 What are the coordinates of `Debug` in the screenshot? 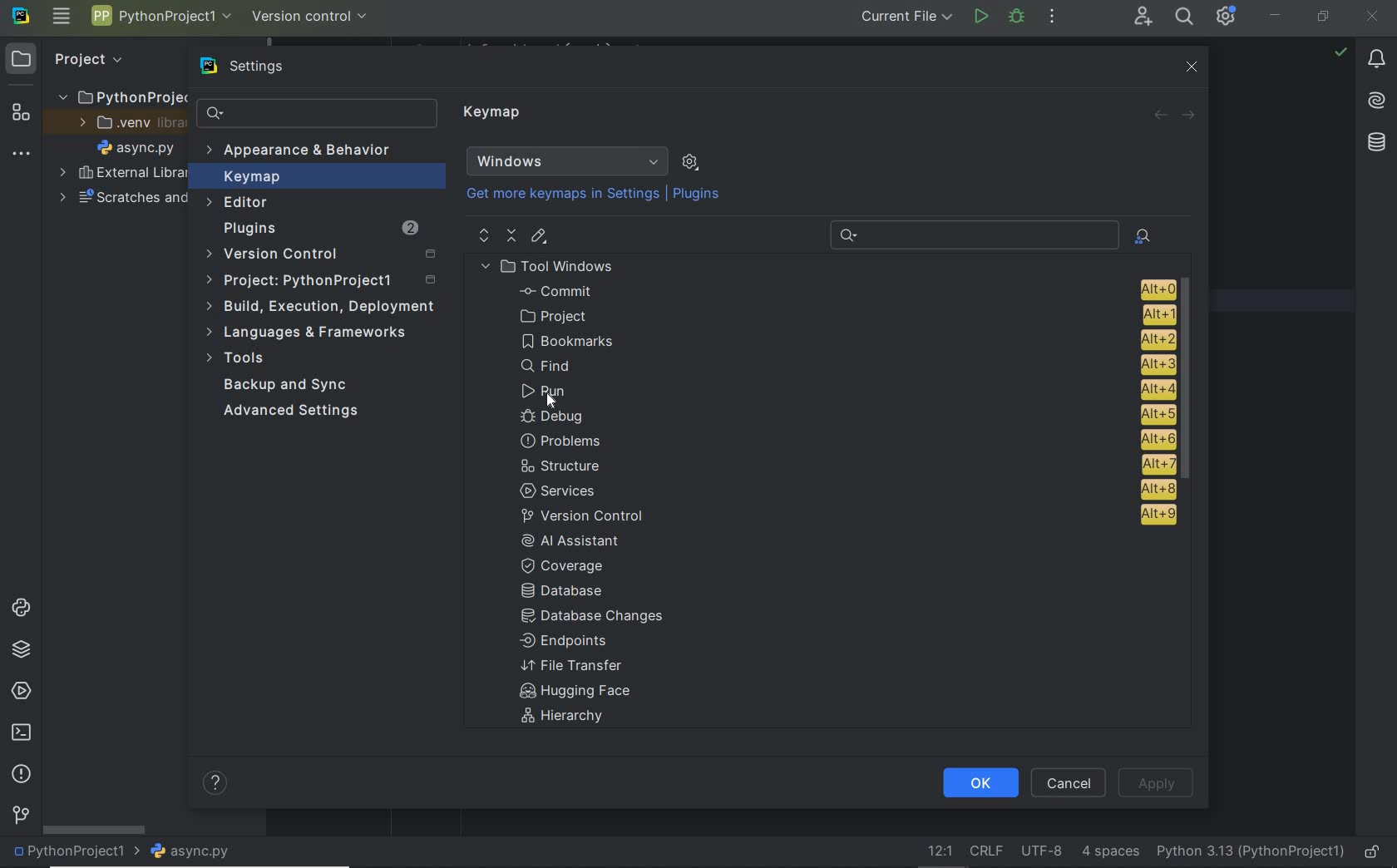 It's located at (846, 416).